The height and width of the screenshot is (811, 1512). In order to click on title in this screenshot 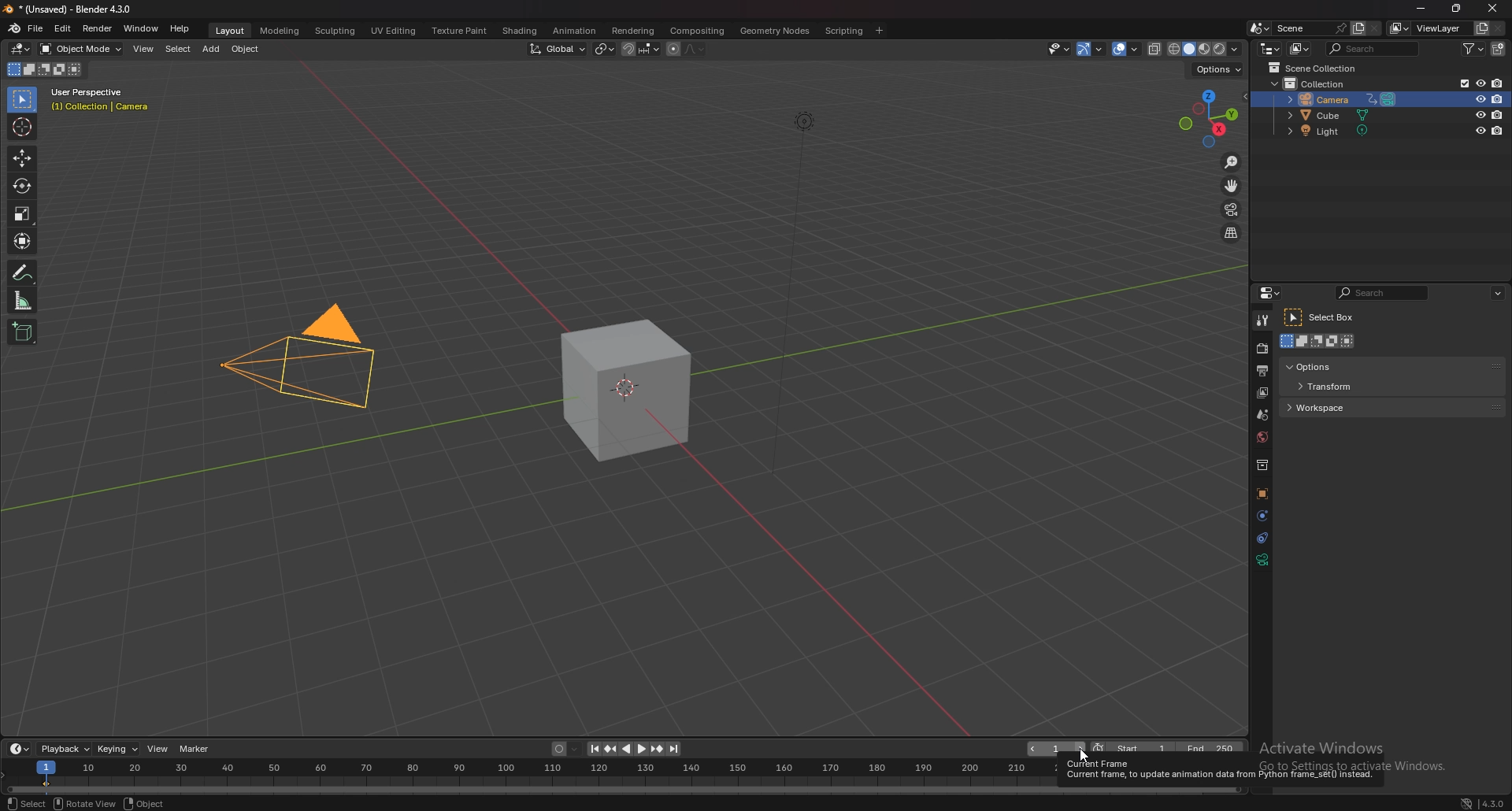, I will do `click(72, 9)`.